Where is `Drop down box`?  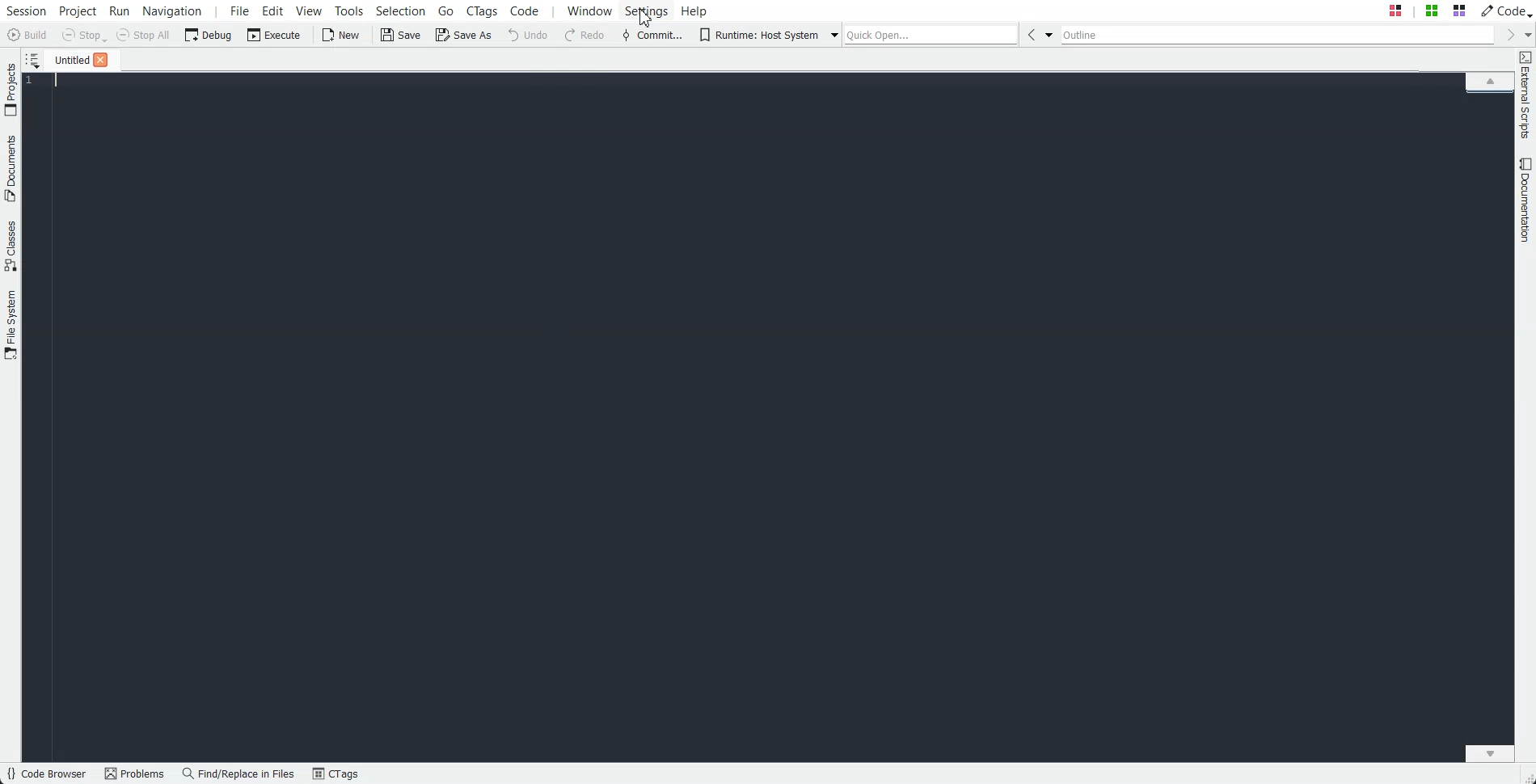
Drop down box is located at coordinates (1526, 34).